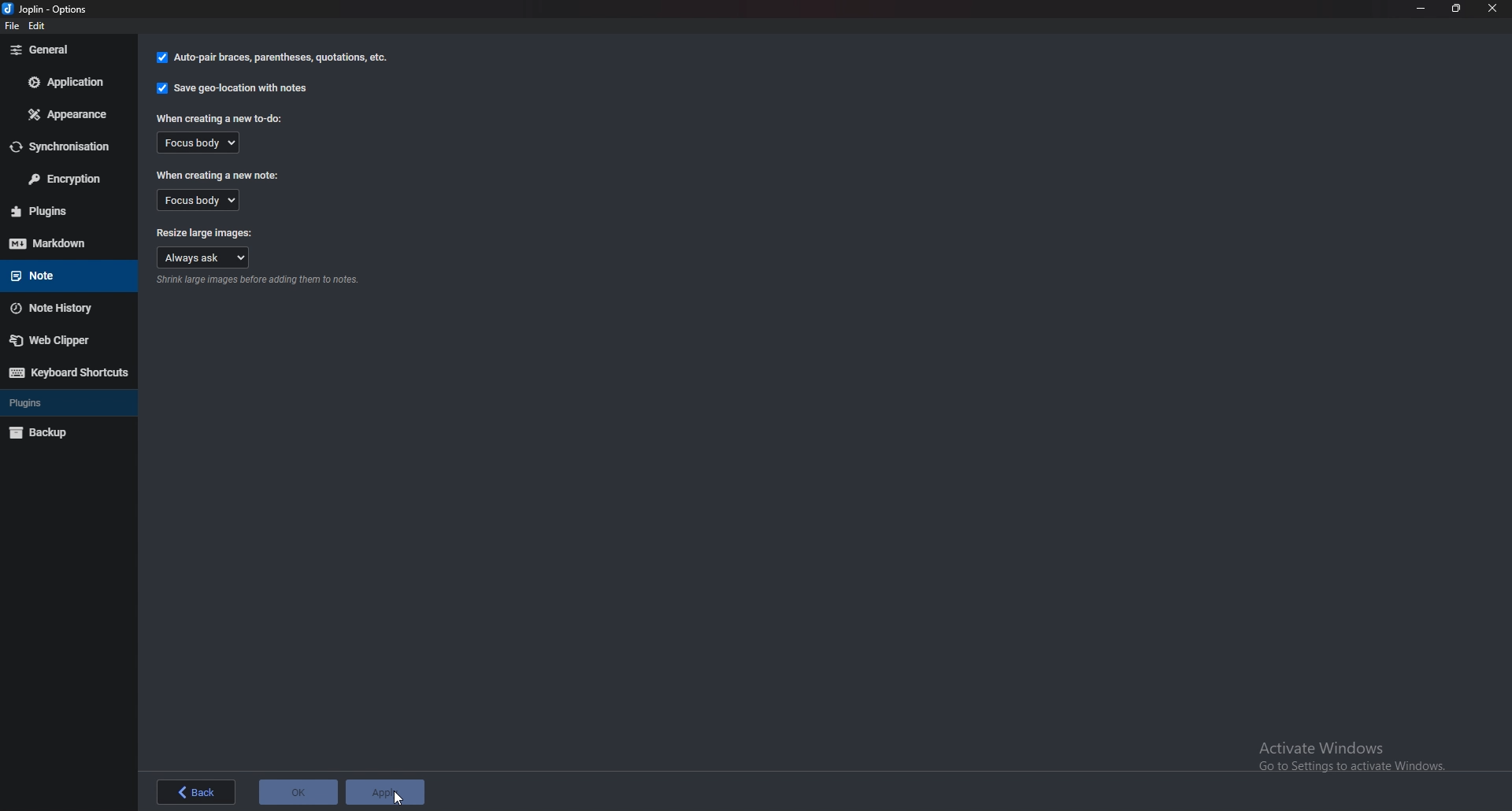  I want to click on plugins, so click(65, 401).